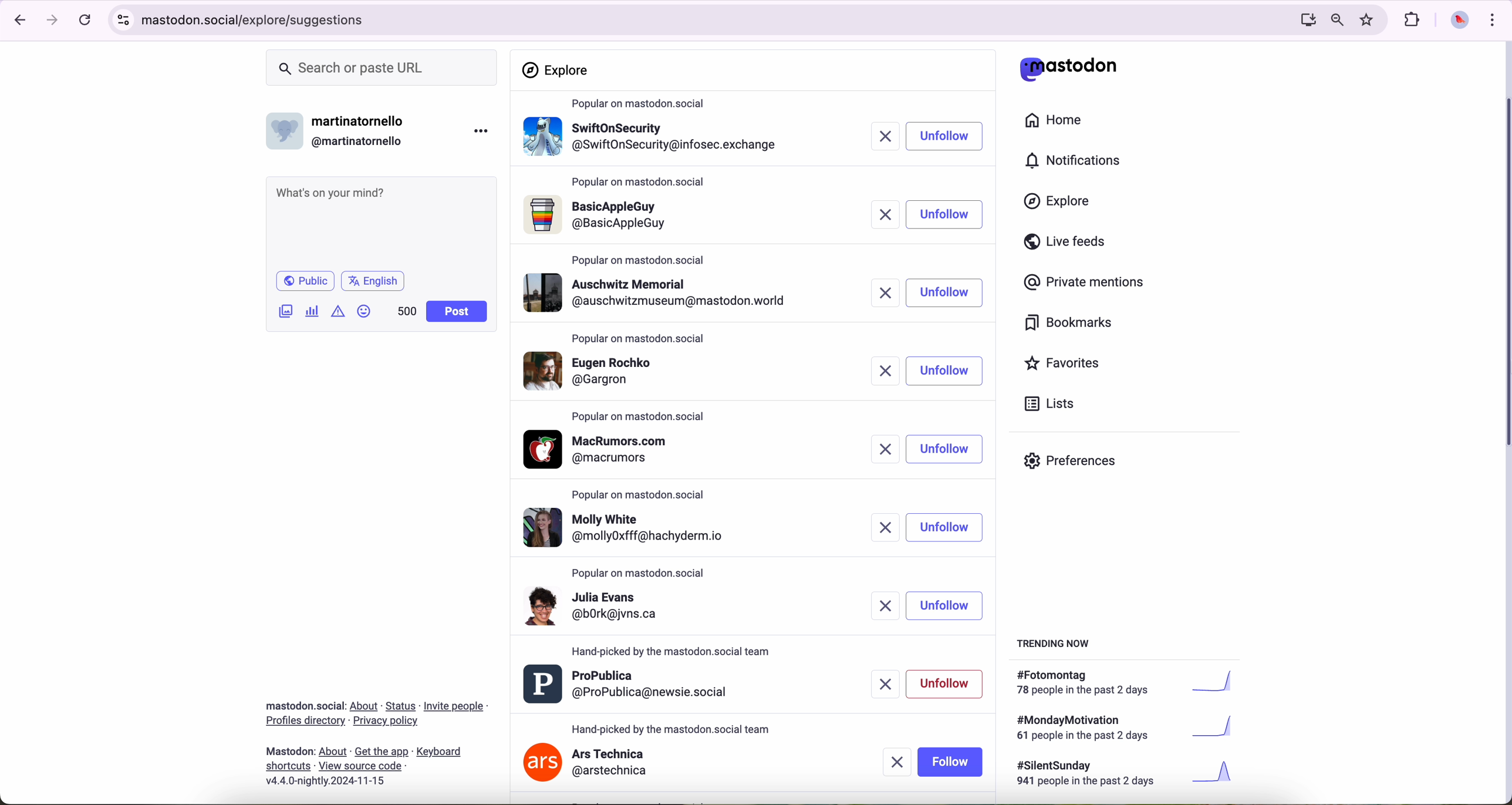  What do you see at coordinates (640, 339) in the screenshot?
I see `popular` at bounding box center [640, 339].